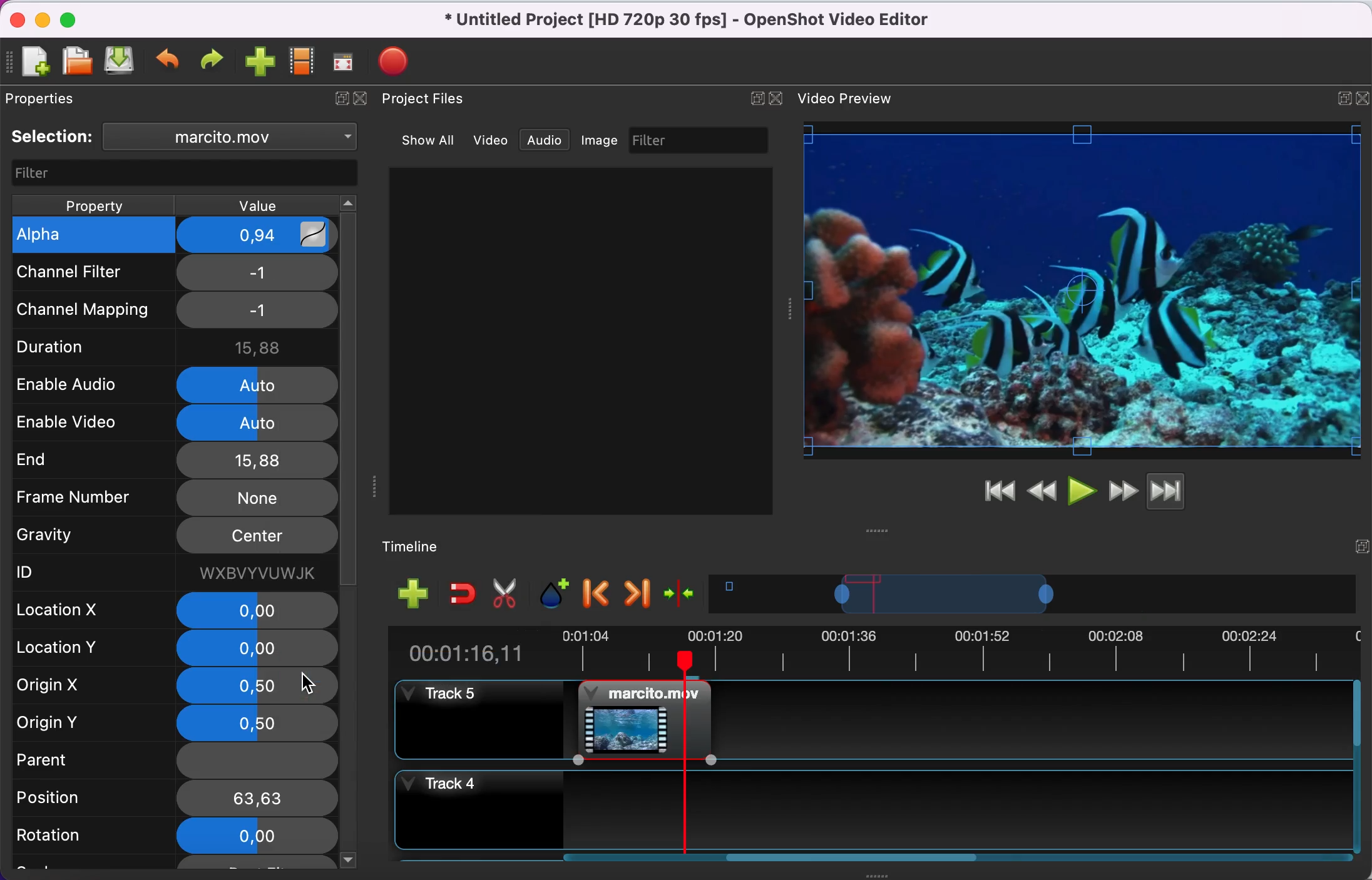 The height and width of the screenshot is (880, 1372). I want to click on video preview, so click(1083, 291).